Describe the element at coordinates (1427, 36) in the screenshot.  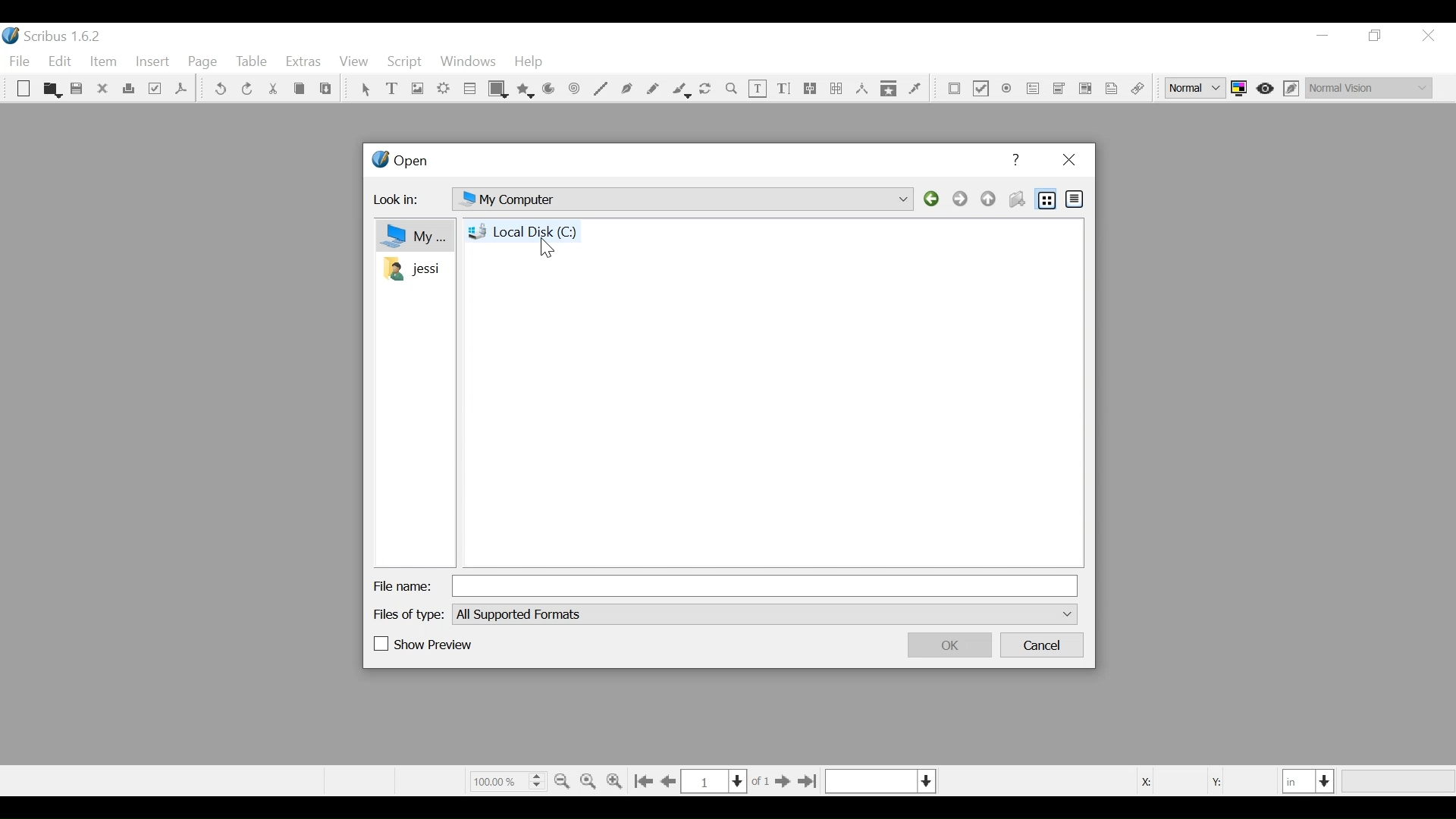
I see `Close` at that location.